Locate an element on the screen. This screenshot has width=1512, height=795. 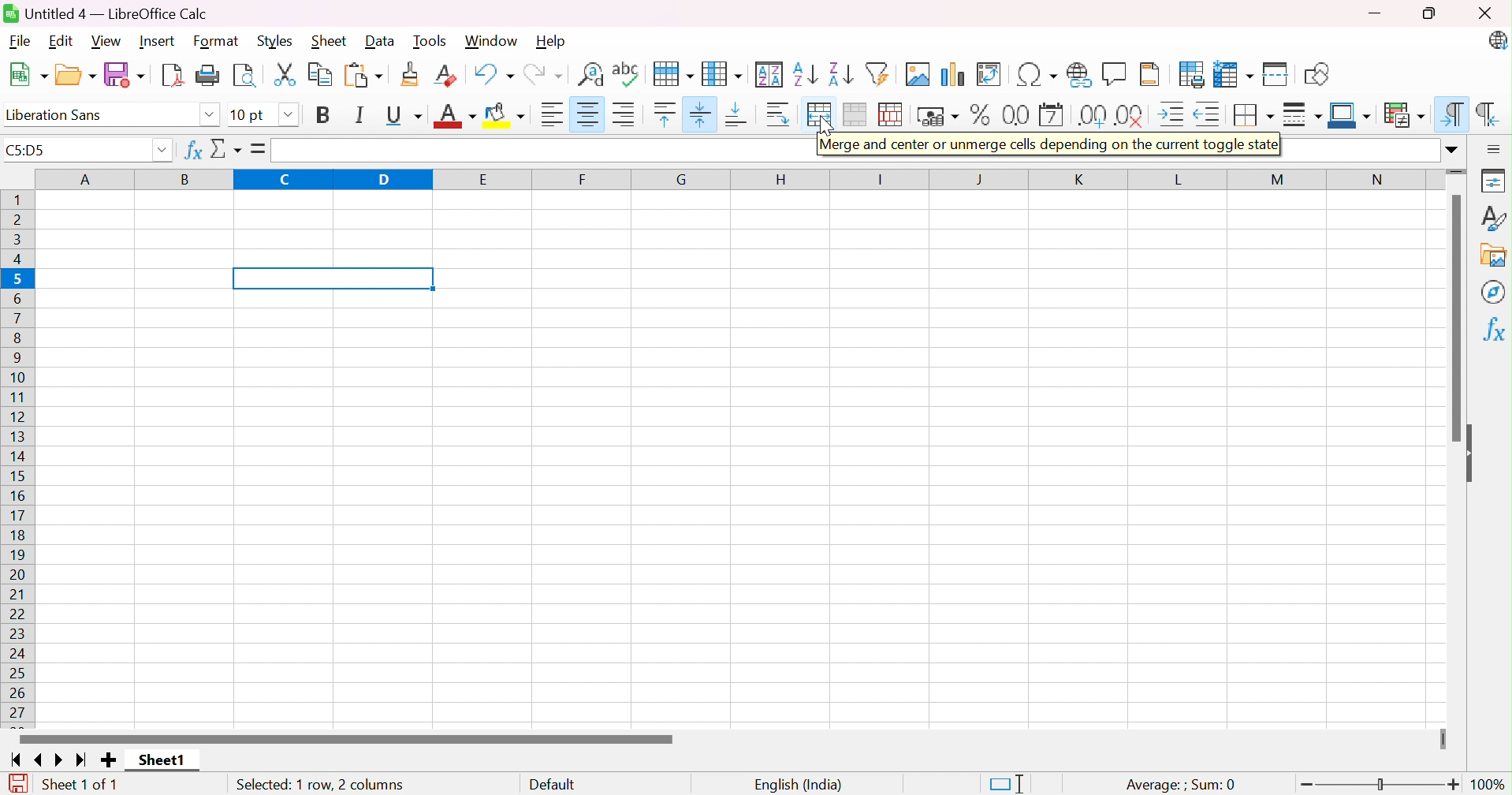
Drop Down is located at coordinates (288, 113).